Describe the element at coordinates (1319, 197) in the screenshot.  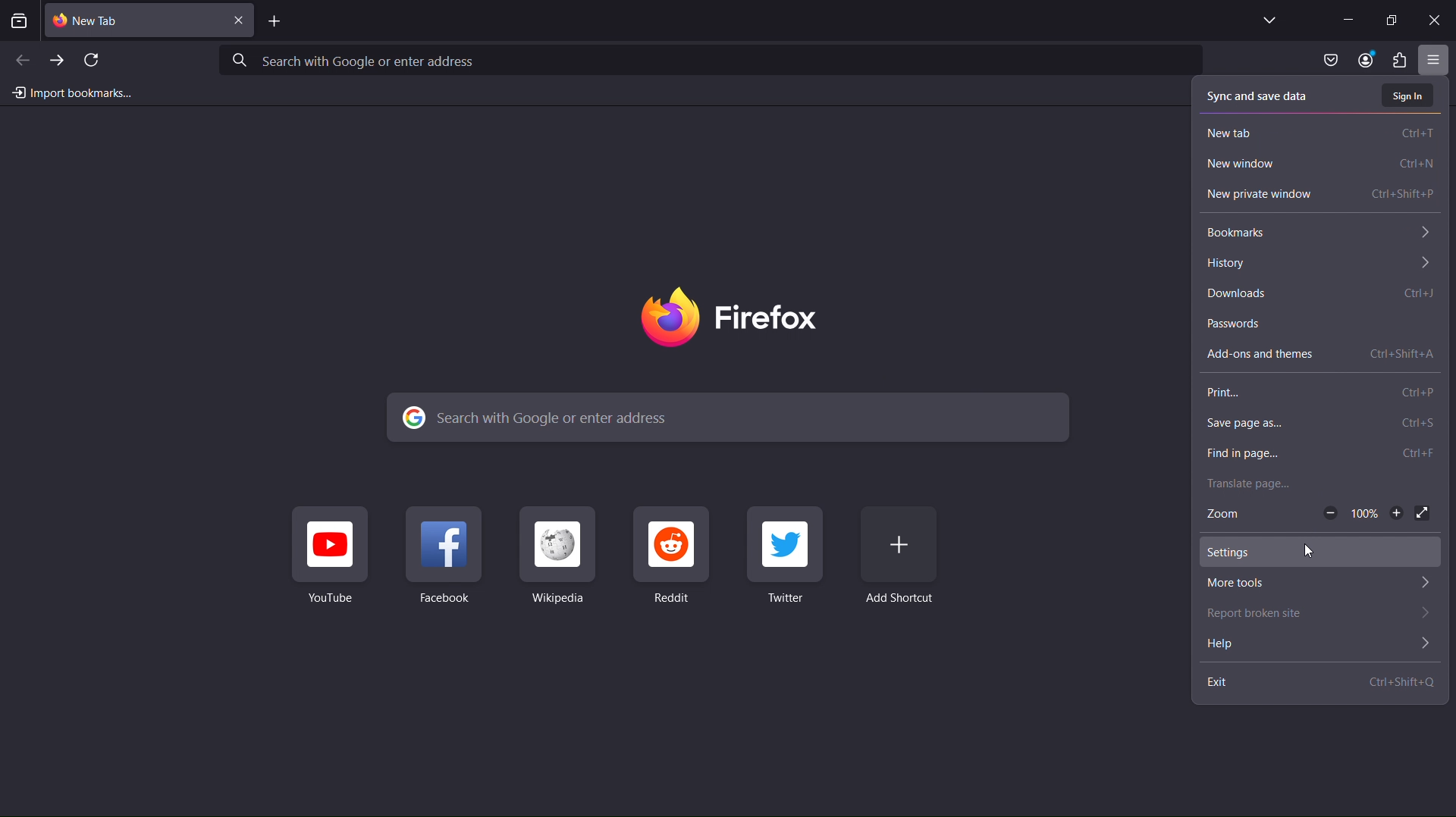
I see `New Private Window` at that location.